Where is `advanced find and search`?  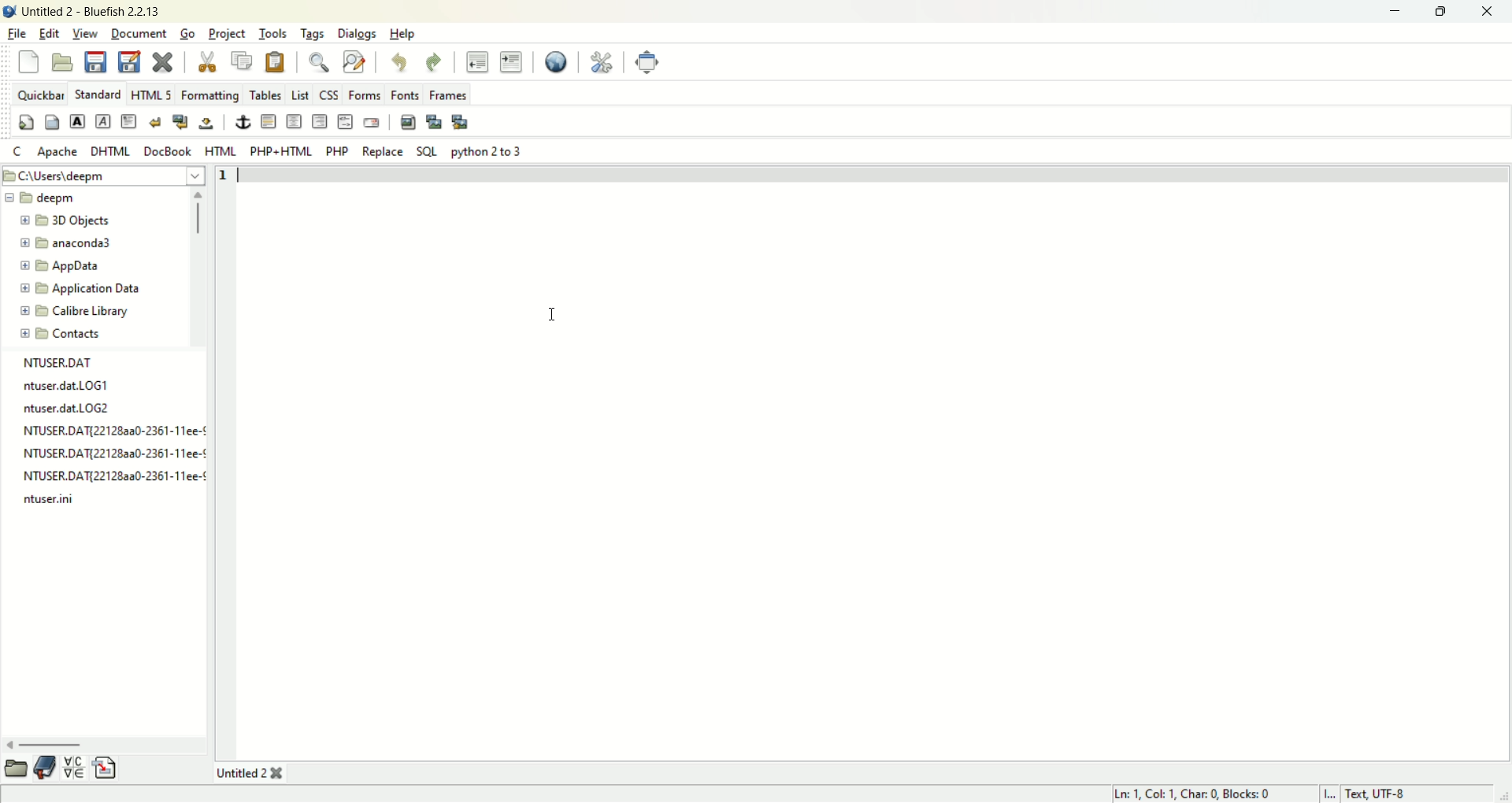
advanced find and search is located at coordinates (354, 61).